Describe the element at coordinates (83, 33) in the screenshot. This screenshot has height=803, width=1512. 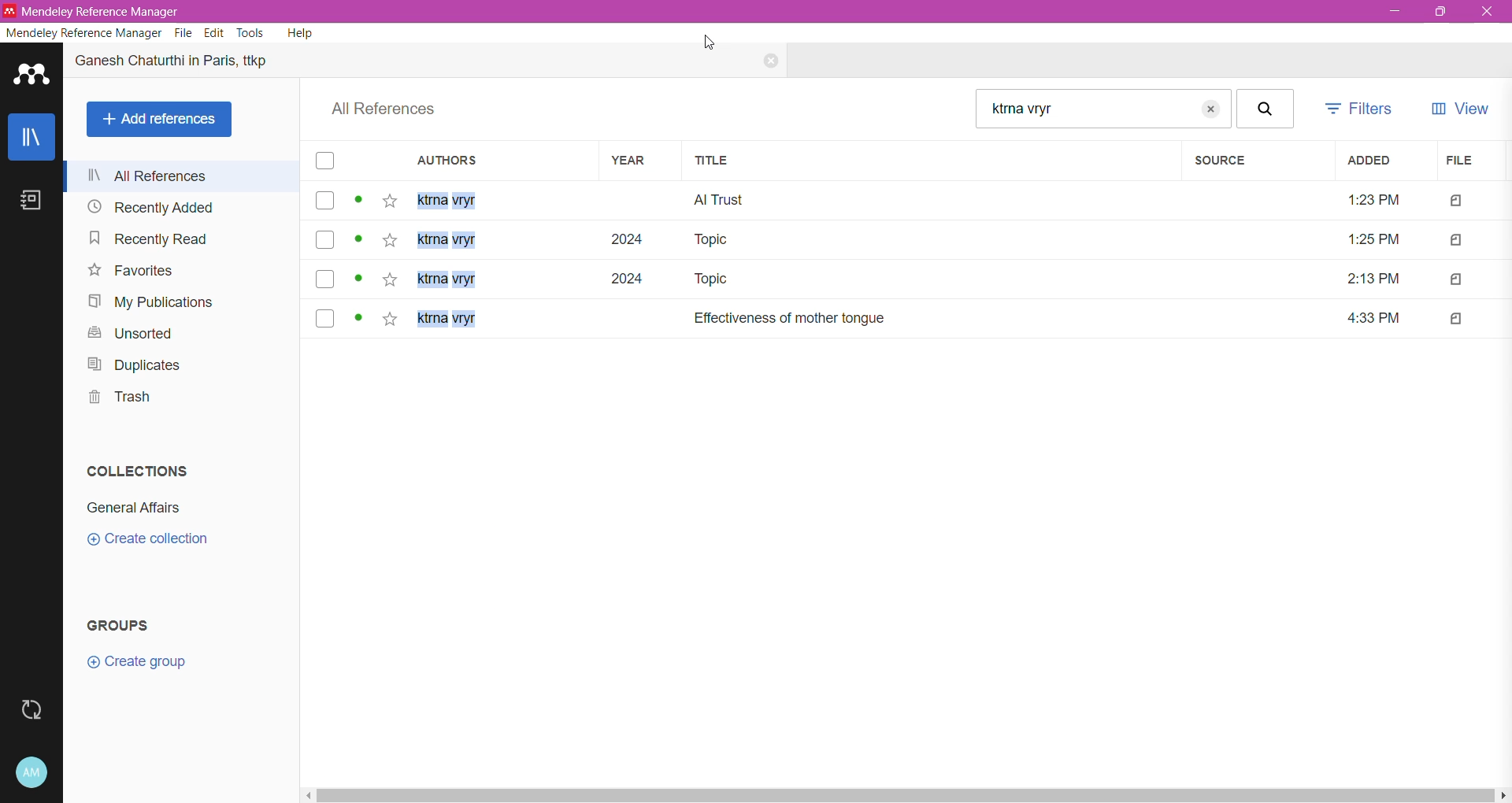
I see `Mendeley Reference Manager` at that location.